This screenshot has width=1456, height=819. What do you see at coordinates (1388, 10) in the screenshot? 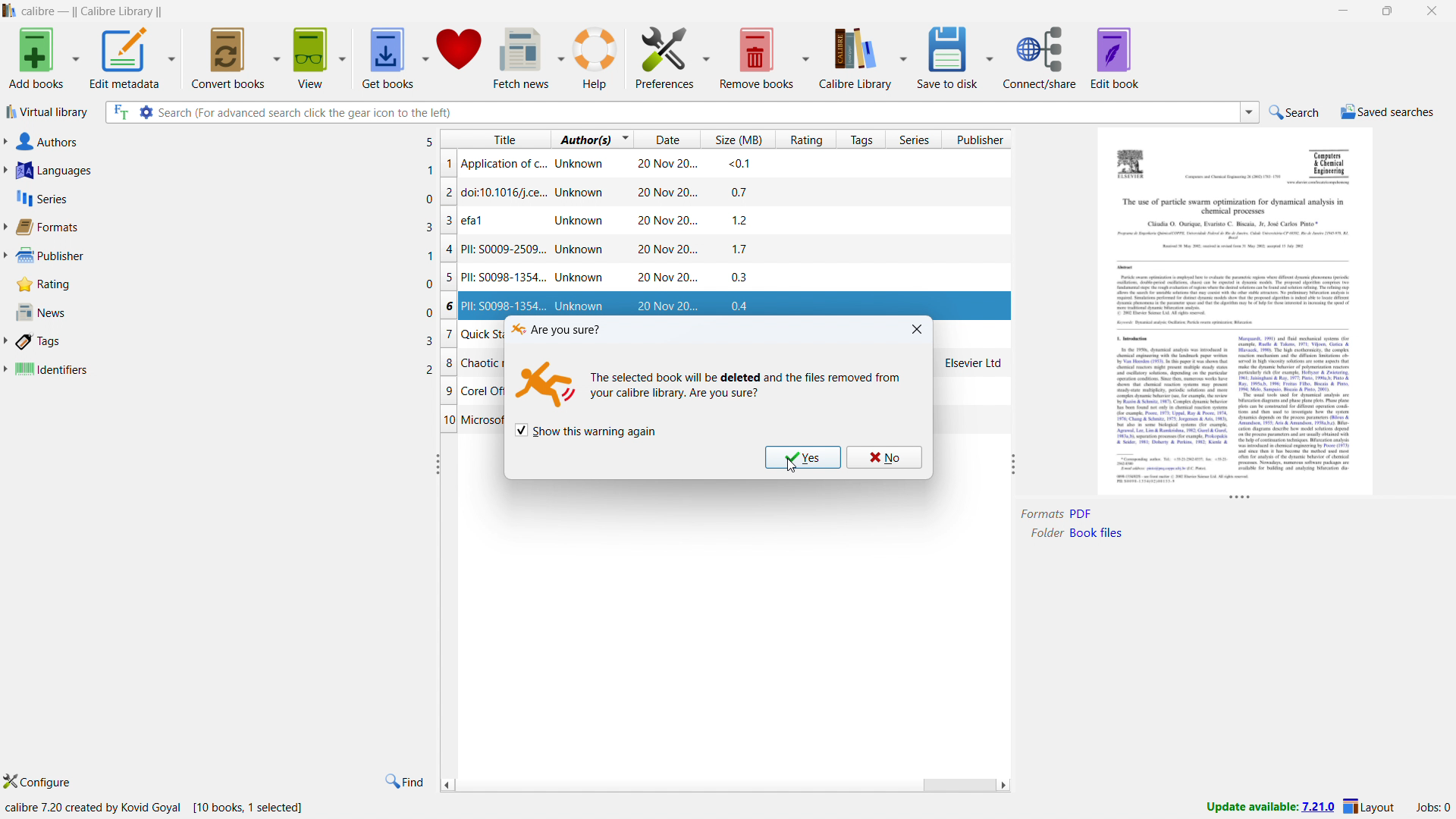
I see `maximize` at bounding box center [1388, 10].